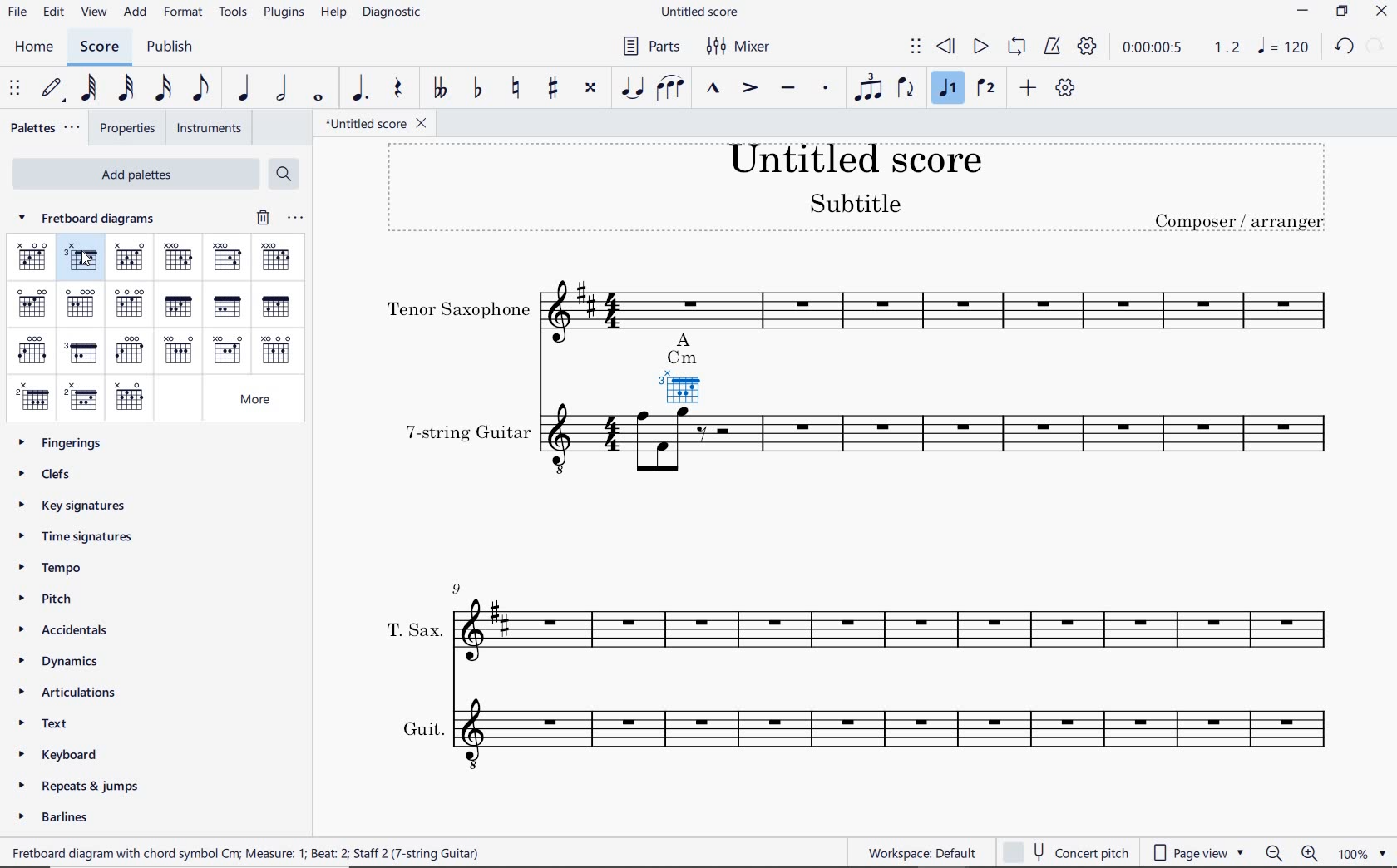 Image resolution: width=1397 pixels, height=868 pixels. I want to click on PLAY SPEED, so click(1181, 47).